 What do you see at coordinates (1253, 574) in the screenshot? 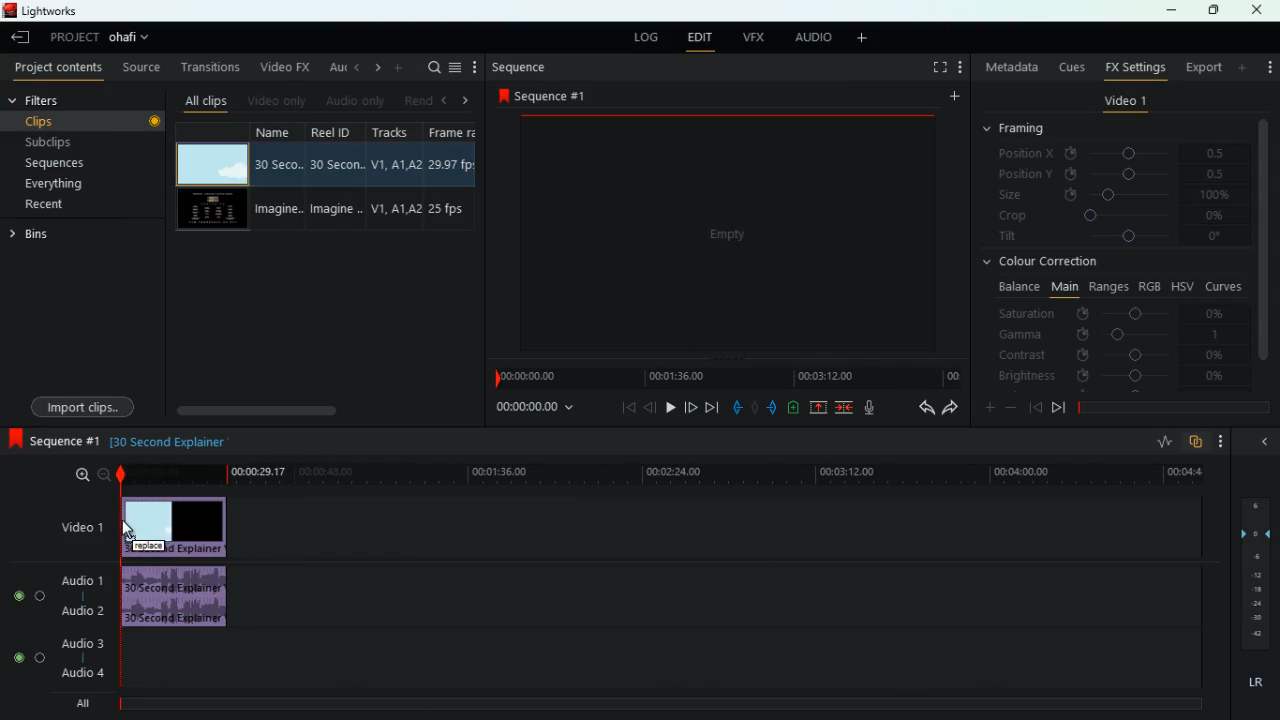
I see `frames` at bounding box center [1253, 574].